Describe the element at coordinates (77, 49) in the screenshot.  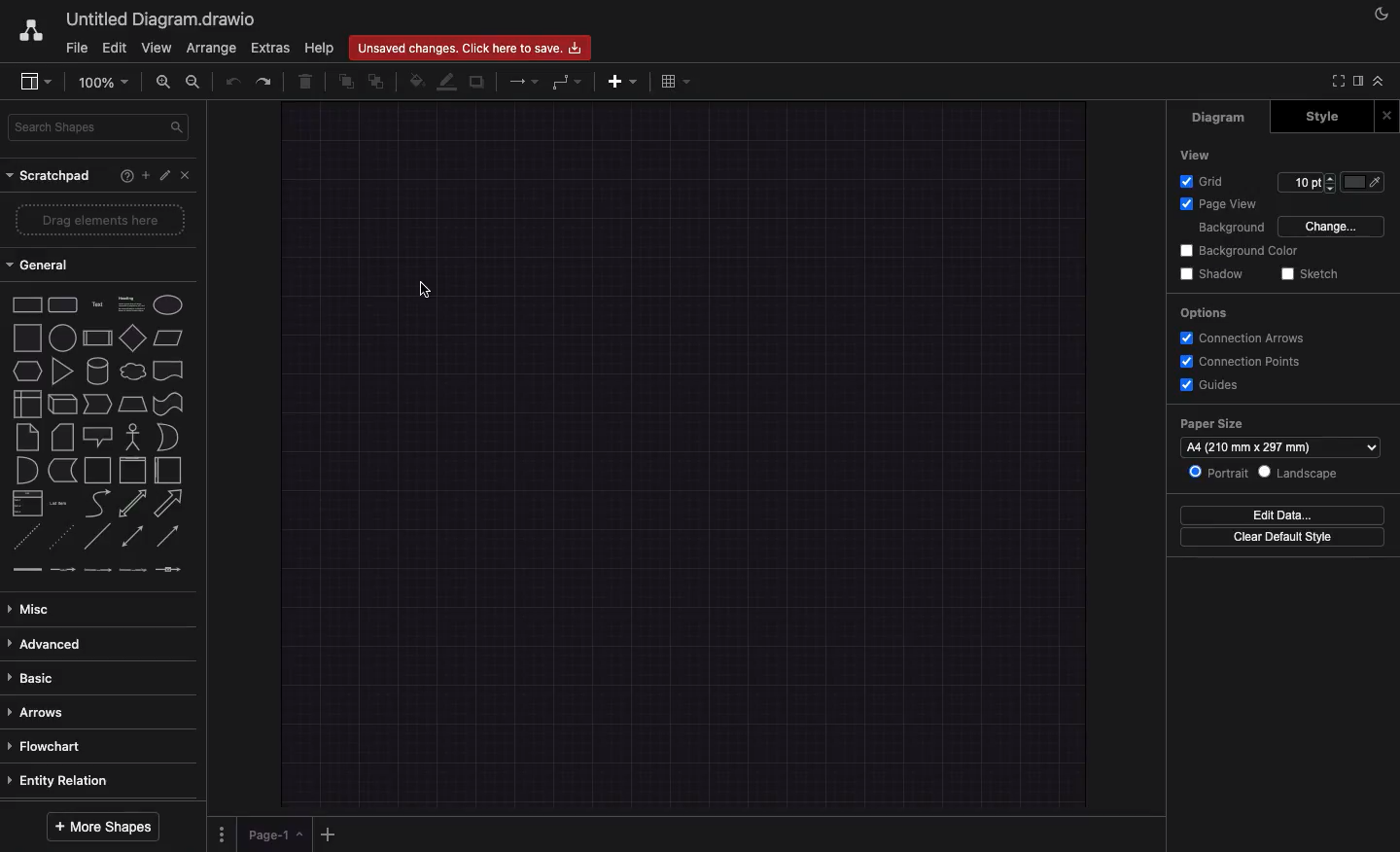
I see `File` at that location.